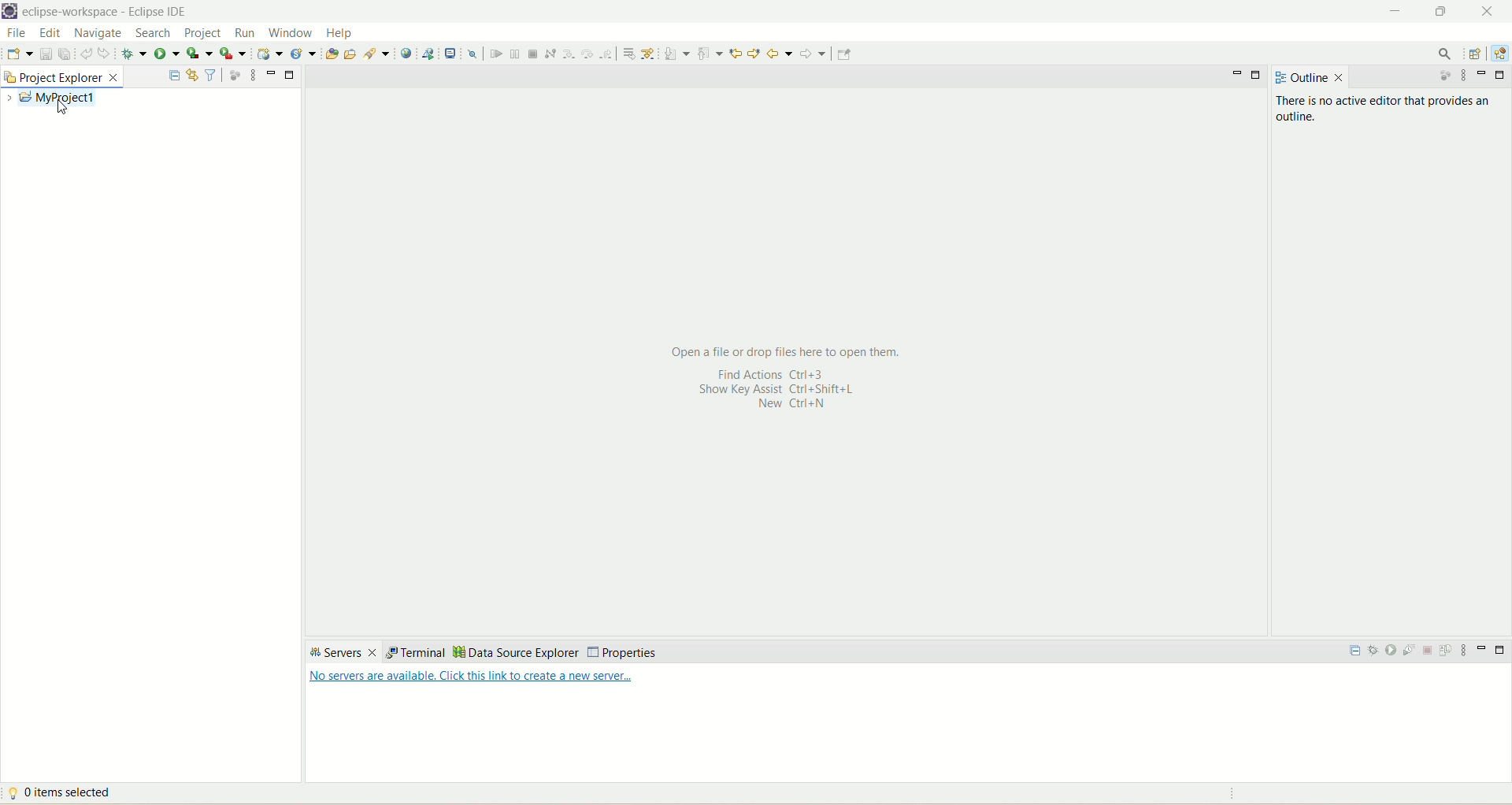 This screenshot has width=1512, height=805. What do you see at coordinates (451, 53) in the screenshot?
I see `open a terminal` at bounding box center [451, 53].